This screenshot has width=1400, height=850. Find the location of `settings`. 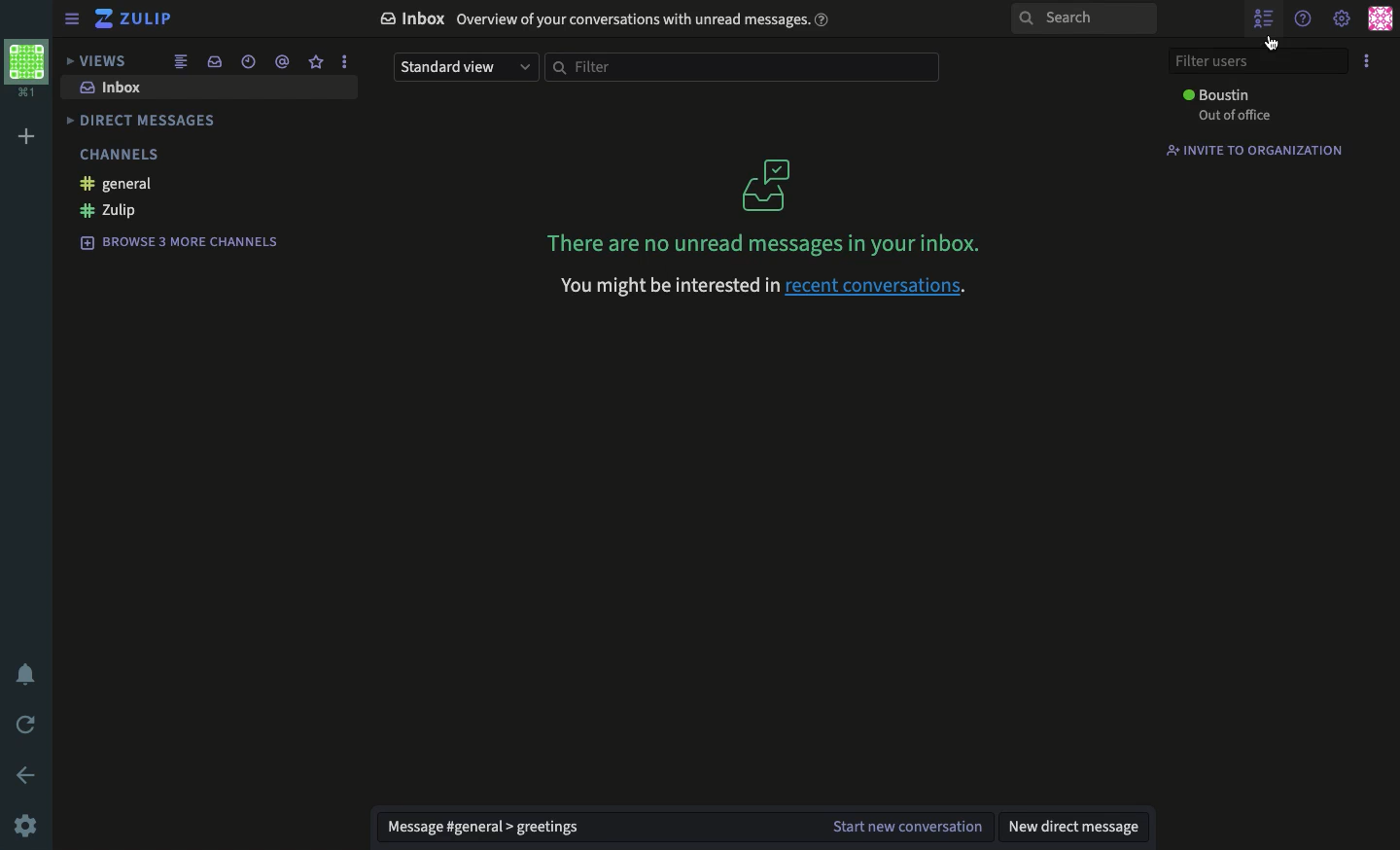

settings is located at coordinates (1343, 20).